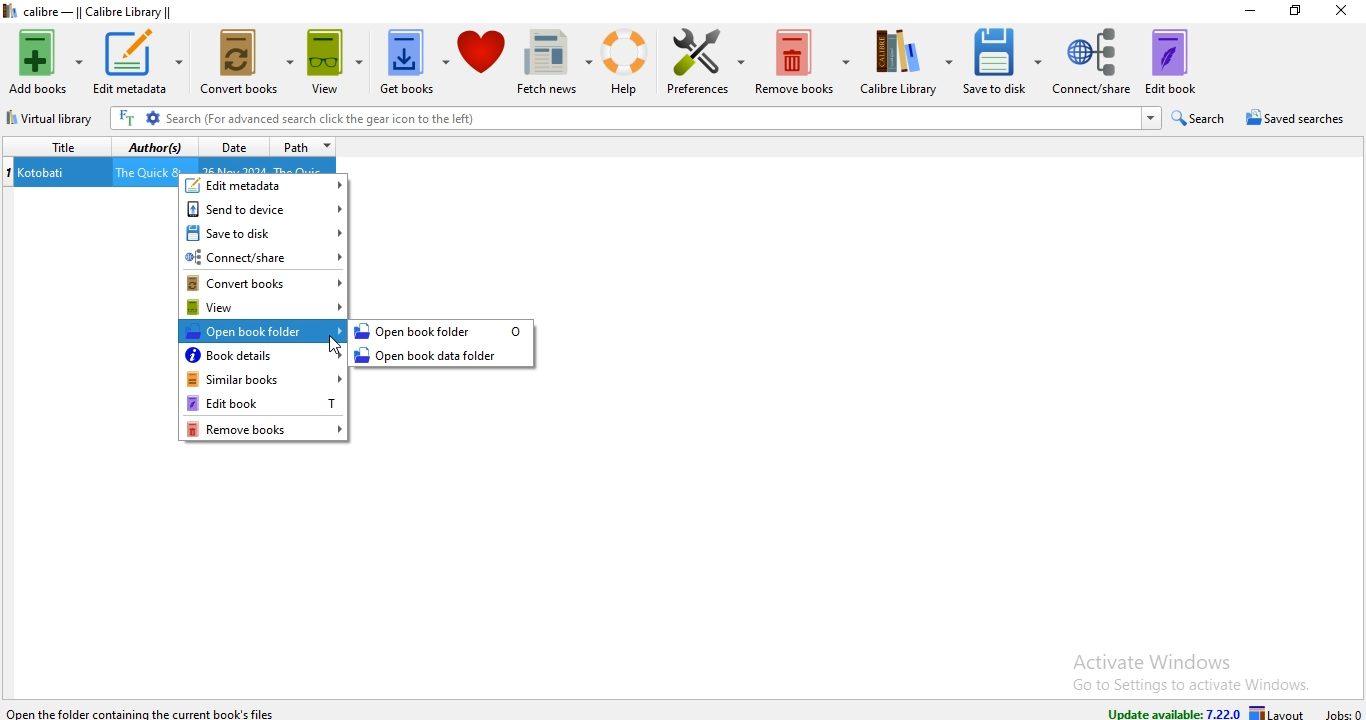  I want to click on edit metadata, so click(264, 184).